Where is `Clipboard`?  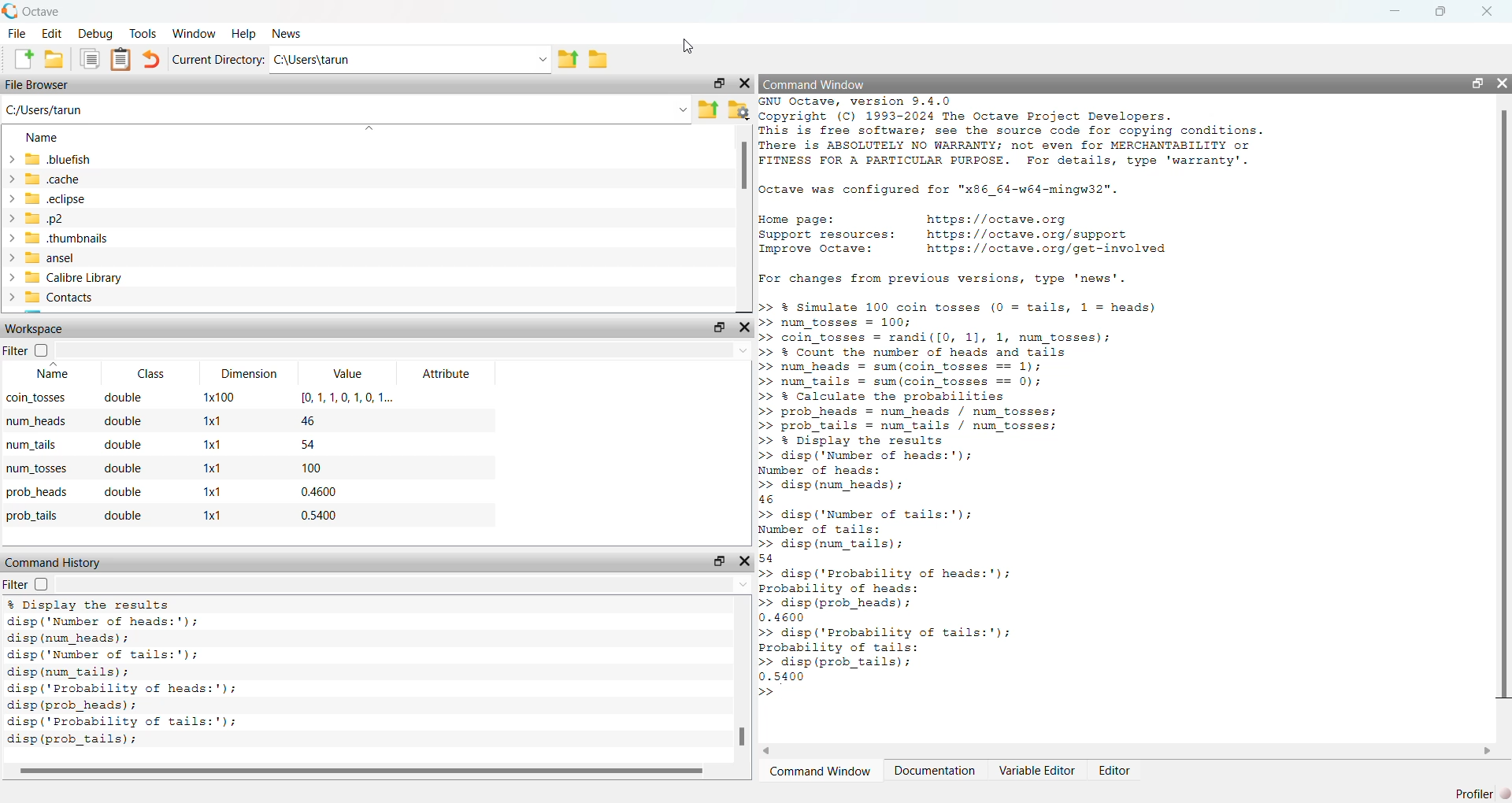 Clipboard is located at coordinates (120, 60).